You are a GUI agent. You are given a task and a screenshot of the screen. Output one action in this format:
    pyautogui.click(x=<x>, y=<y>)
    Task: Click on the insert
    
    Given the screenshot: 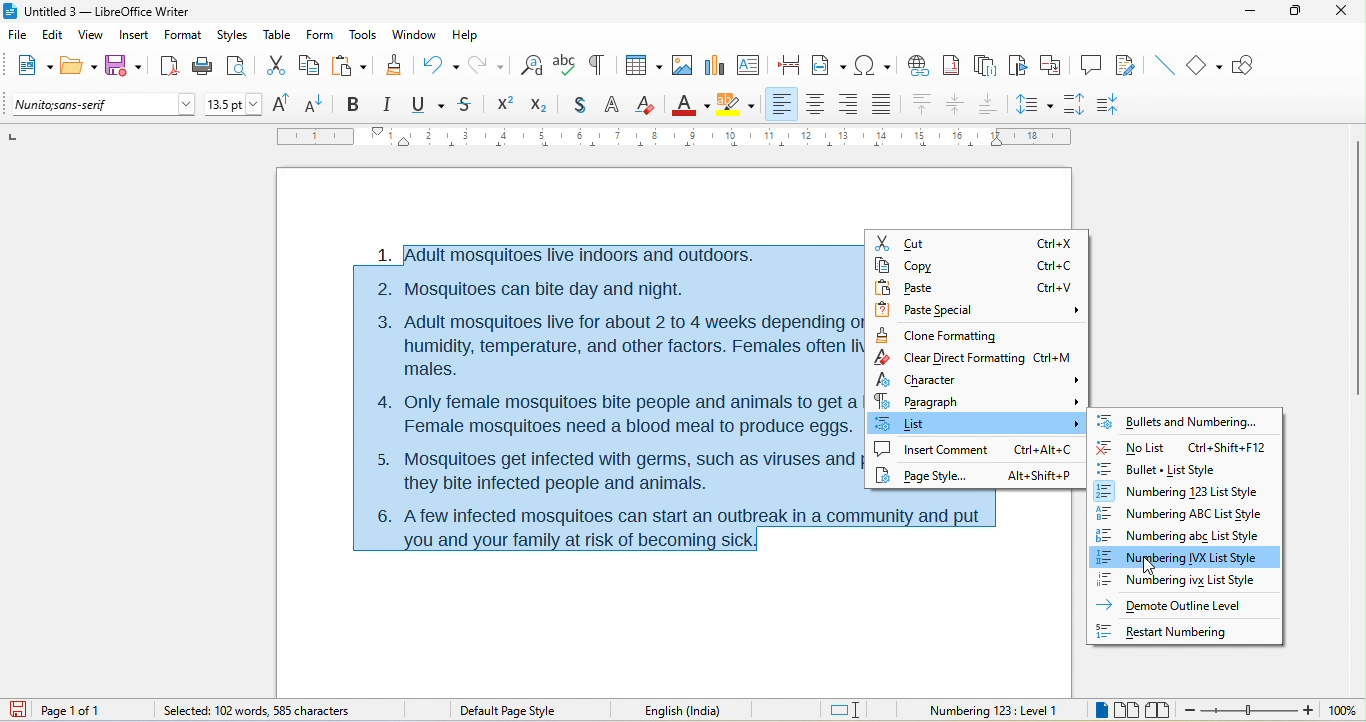 What is the action you would take?
    pyautogui.click(x=134, y=35)
    